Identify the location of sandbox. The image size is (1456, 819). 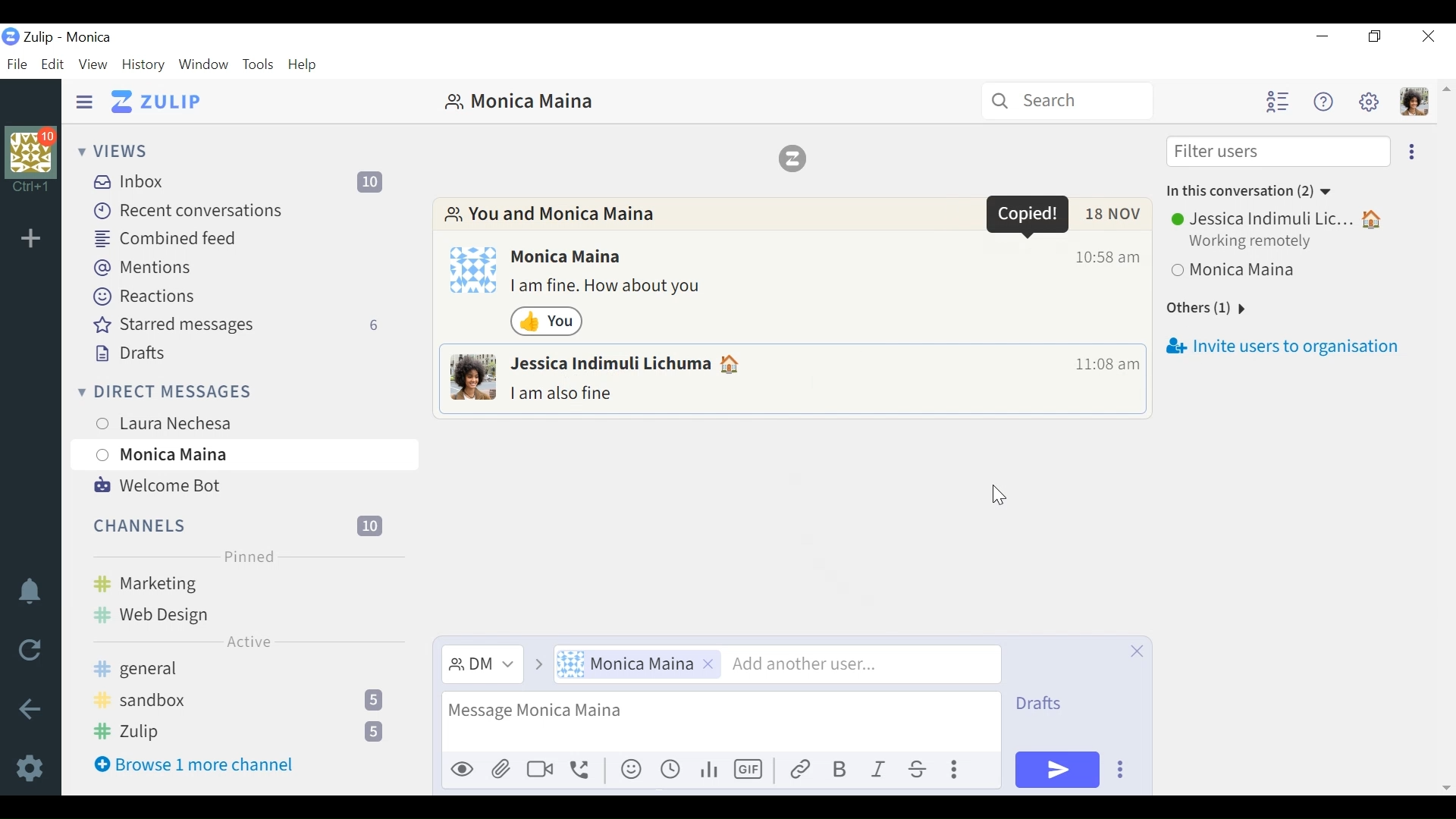
(243, 699).